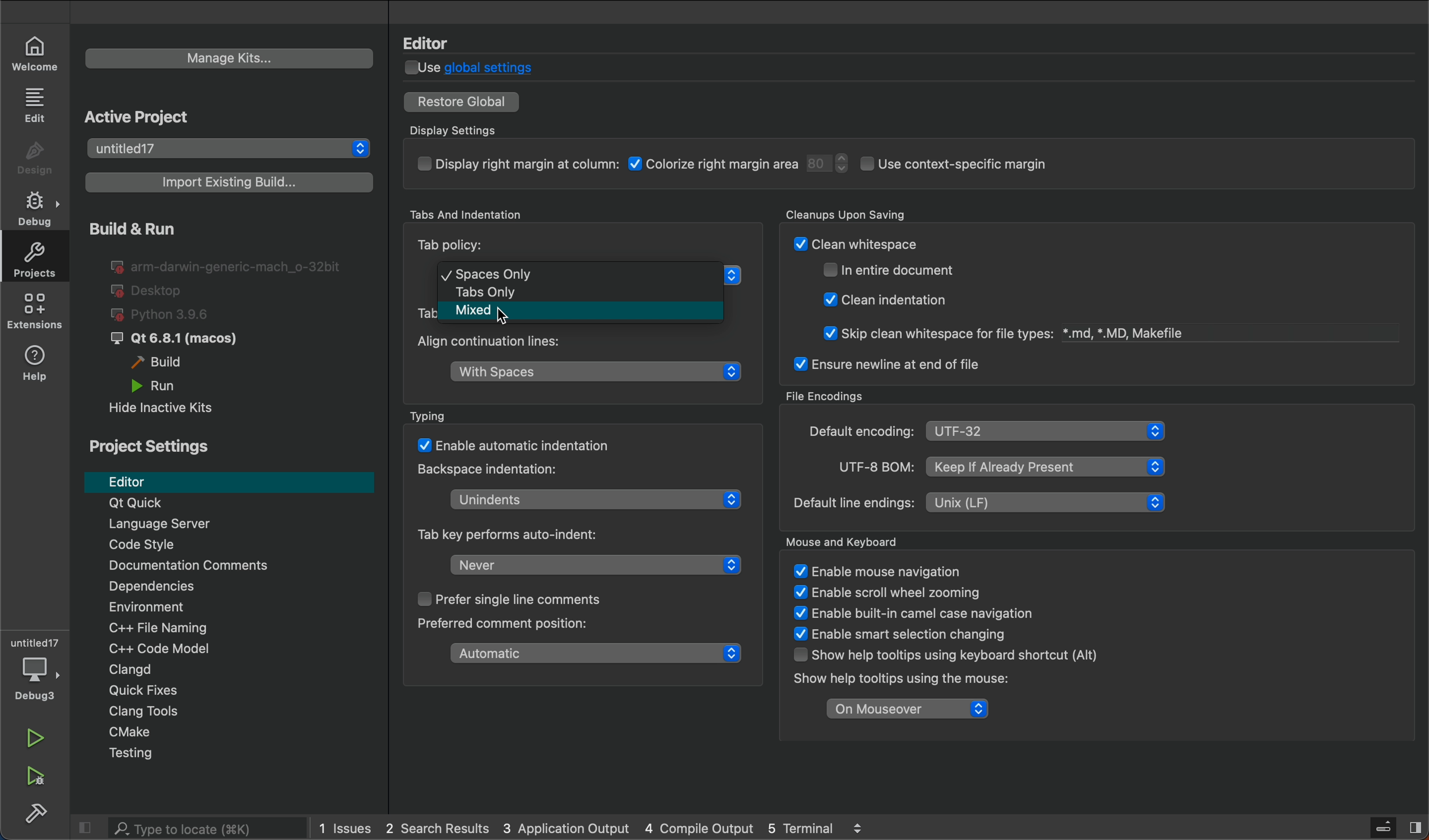  What do you see at coordinates (826, 393) in the screenshot?
I see `File Encodings` at bounding box center [826, 393].